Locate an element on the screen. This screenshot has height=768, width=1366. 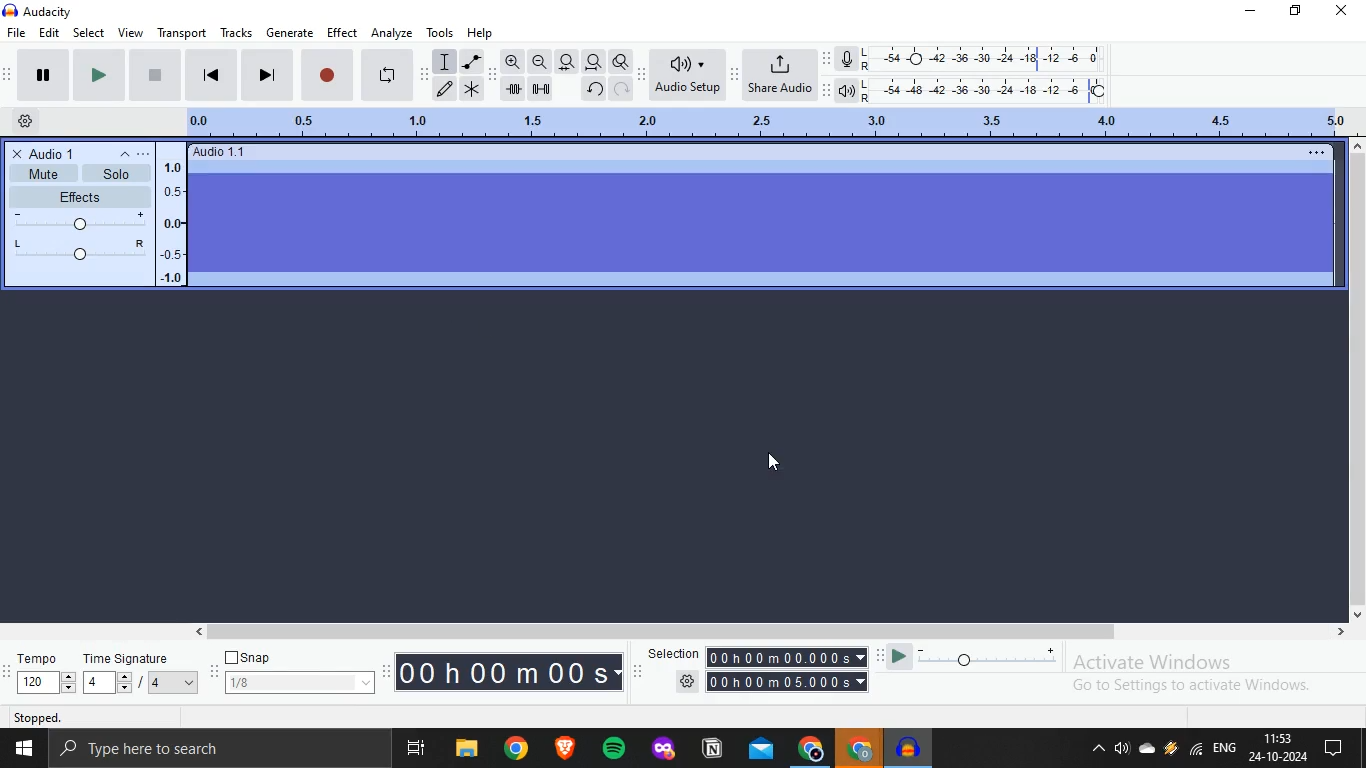
Firedox is located at coordinates (663, 750).